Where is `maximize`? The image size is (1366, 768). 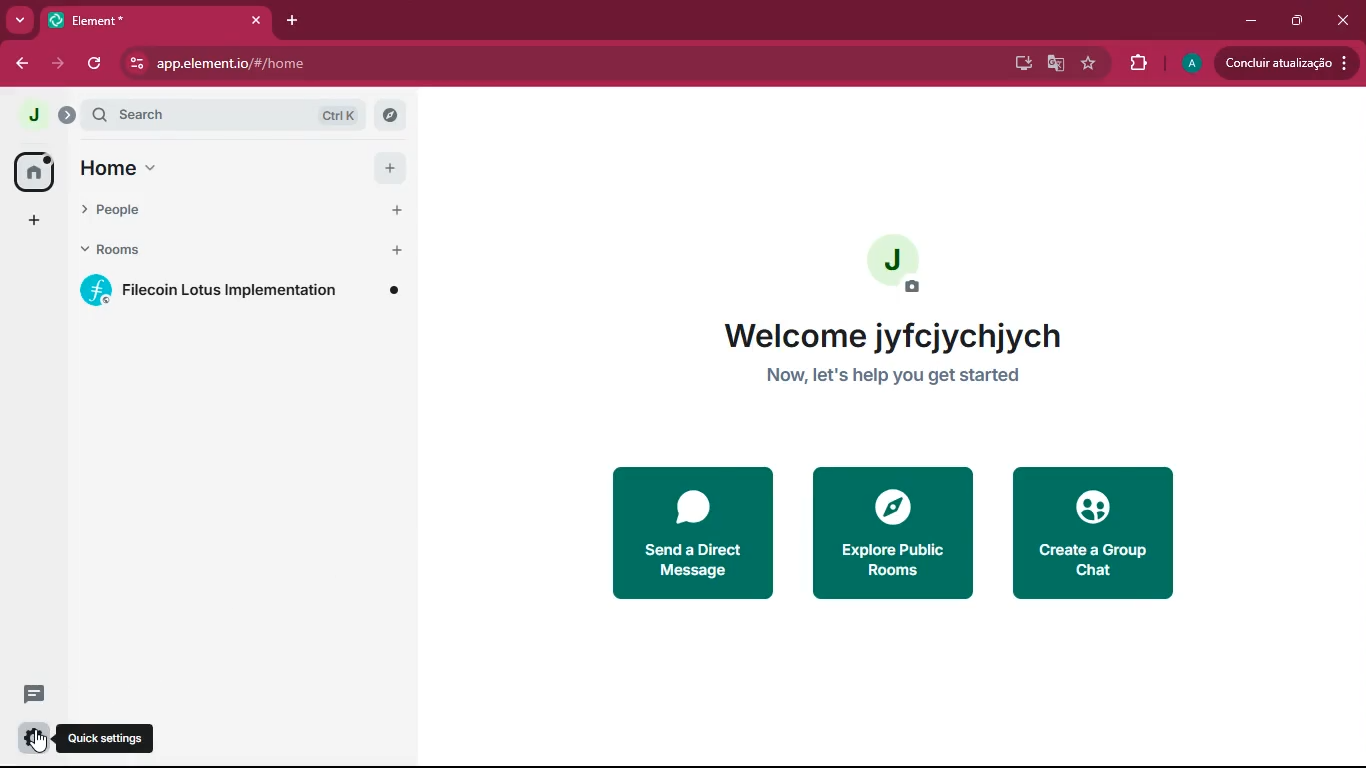 maximize is located at coordinates (1293, 20).